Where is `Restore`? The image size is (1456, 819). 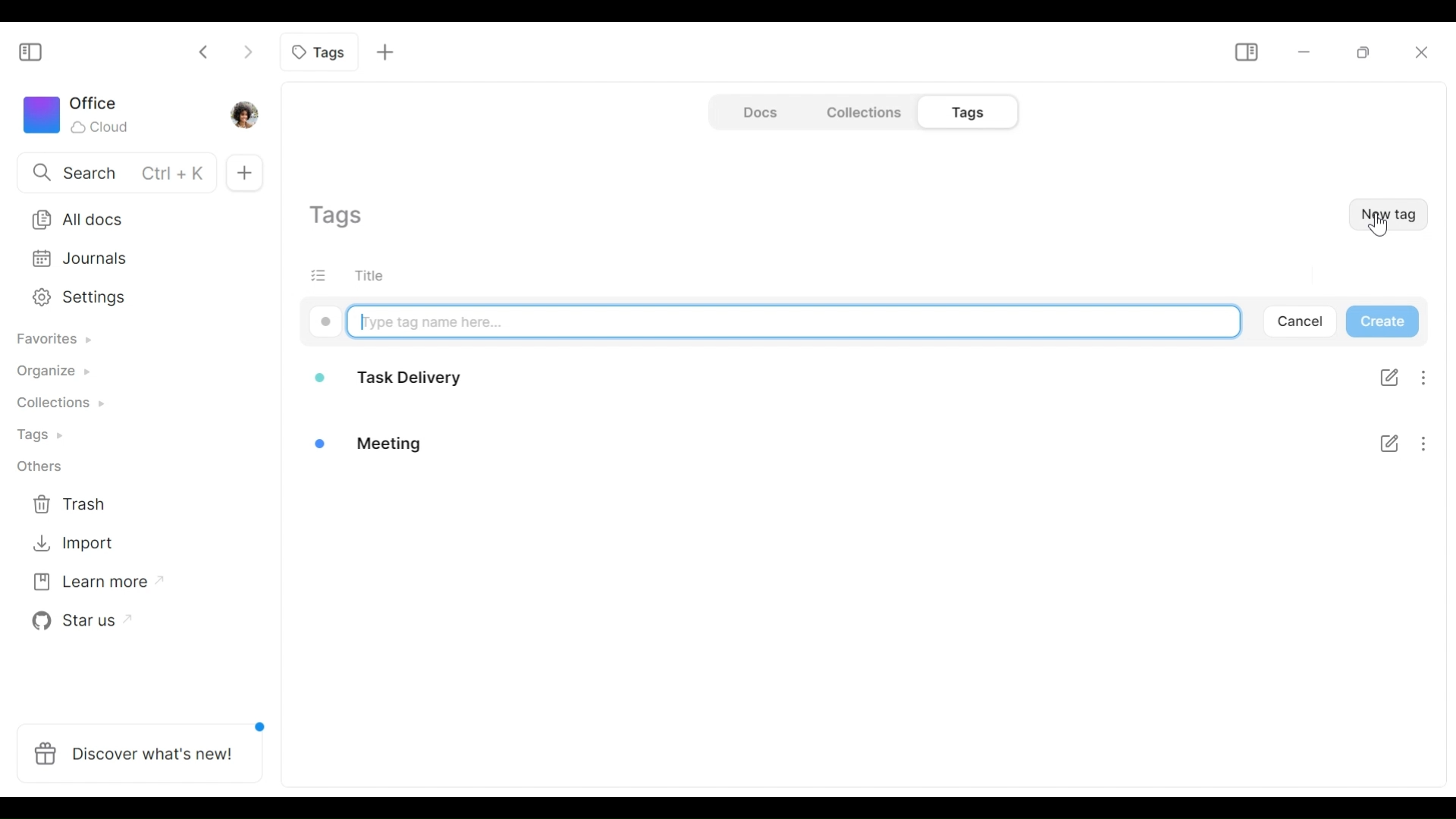 Restore is located at coordinates (1363, 53).